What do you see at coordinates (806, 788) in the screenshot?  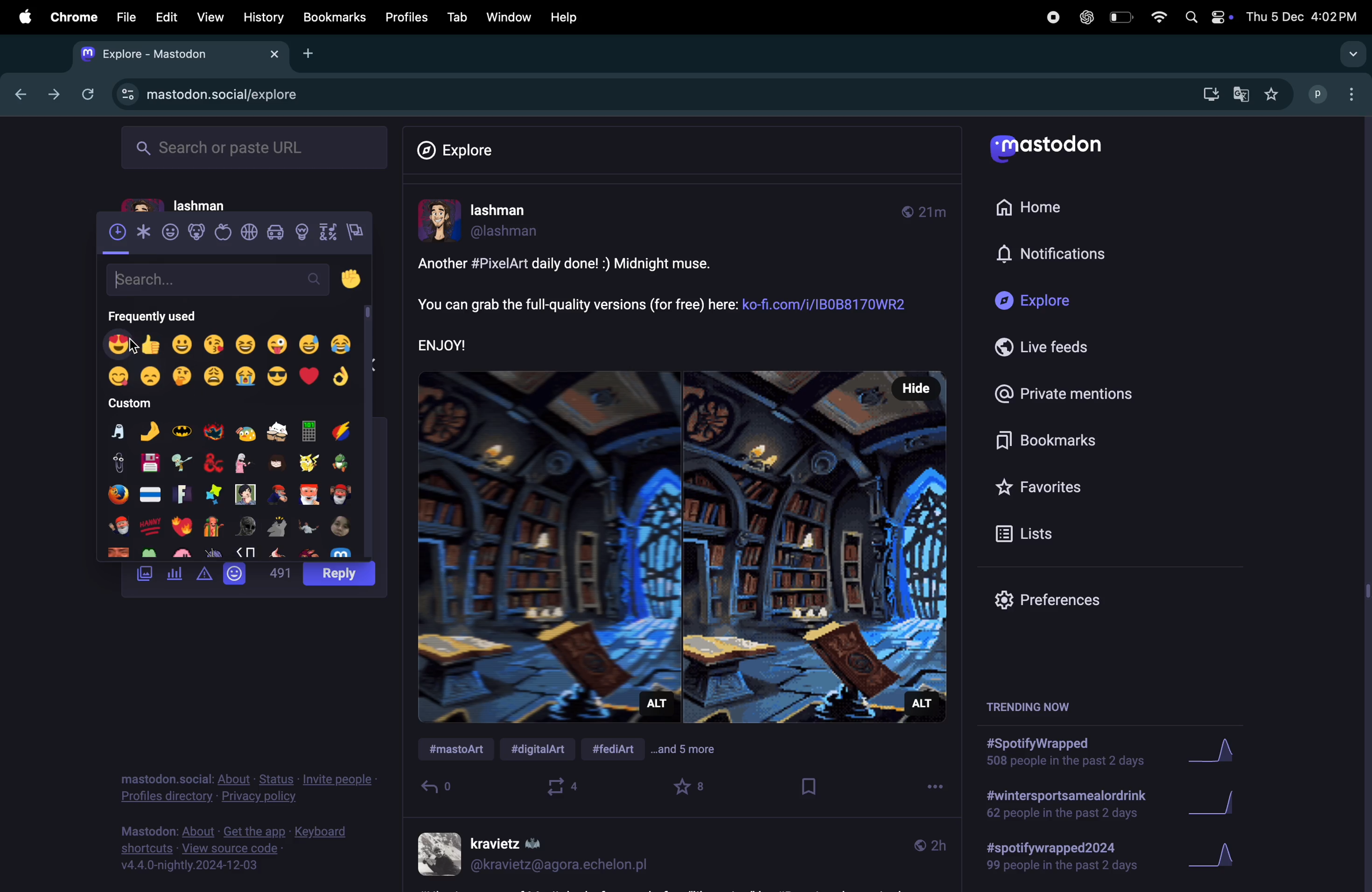 I see `book mark` at bounding box center [806, 788].